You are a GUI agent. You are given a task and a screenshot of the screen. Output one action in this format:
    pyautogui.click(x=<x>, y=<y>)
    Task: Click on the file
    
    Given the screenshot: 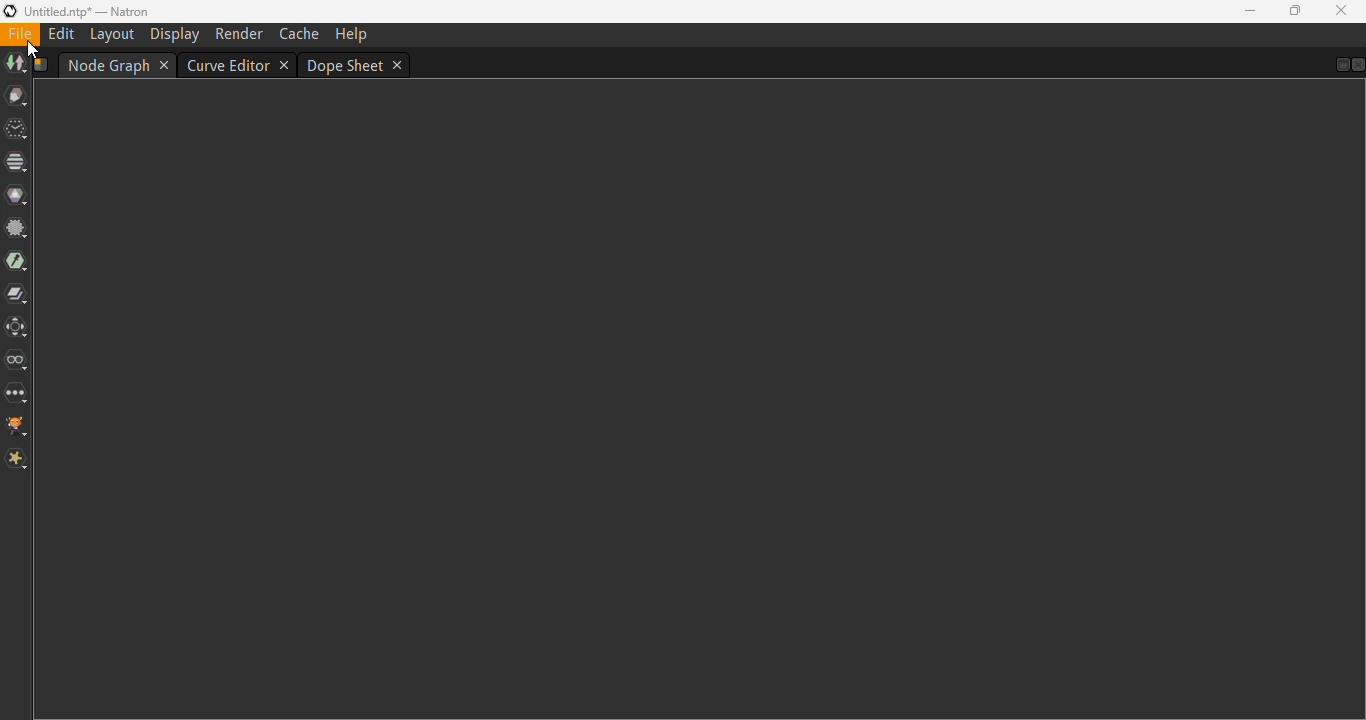 What is the action you would take?
    pyautogui.click(x=20, y=33)
    